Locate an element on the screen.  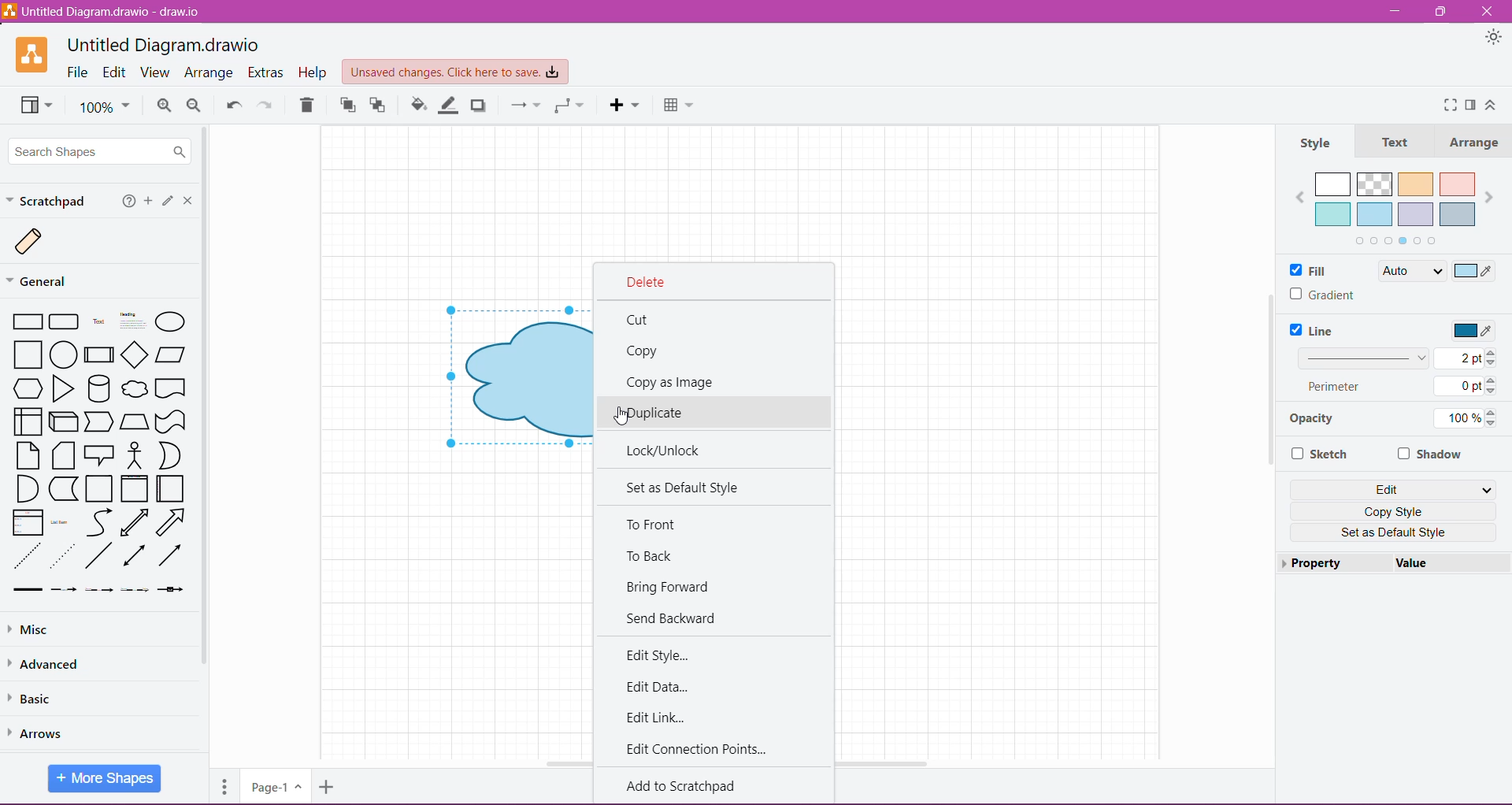
Edit Link is located at coordinates (667, 717).